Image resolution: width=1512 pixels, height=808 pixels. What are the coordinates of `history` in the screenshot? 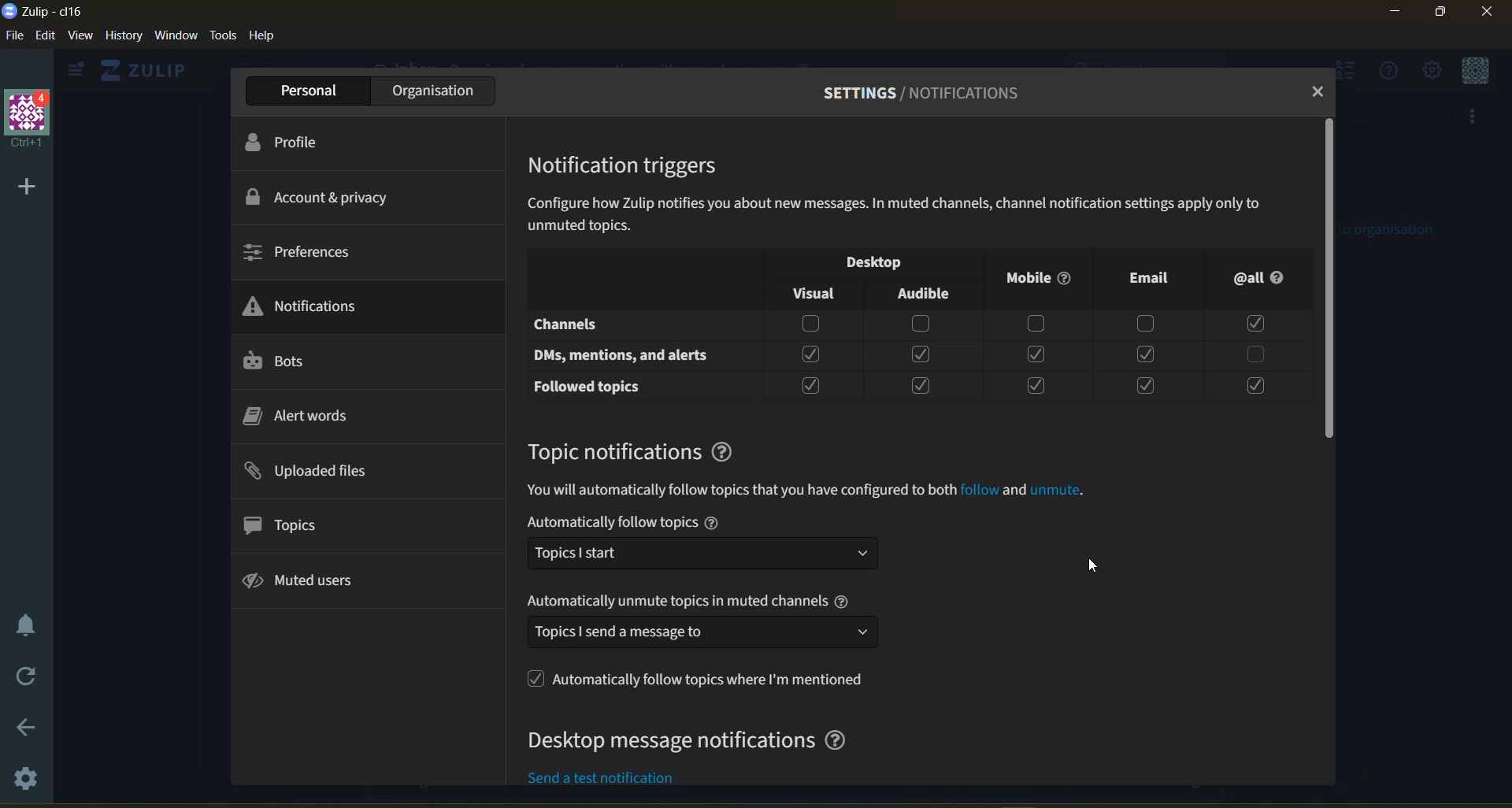 It's located at (124, 36).